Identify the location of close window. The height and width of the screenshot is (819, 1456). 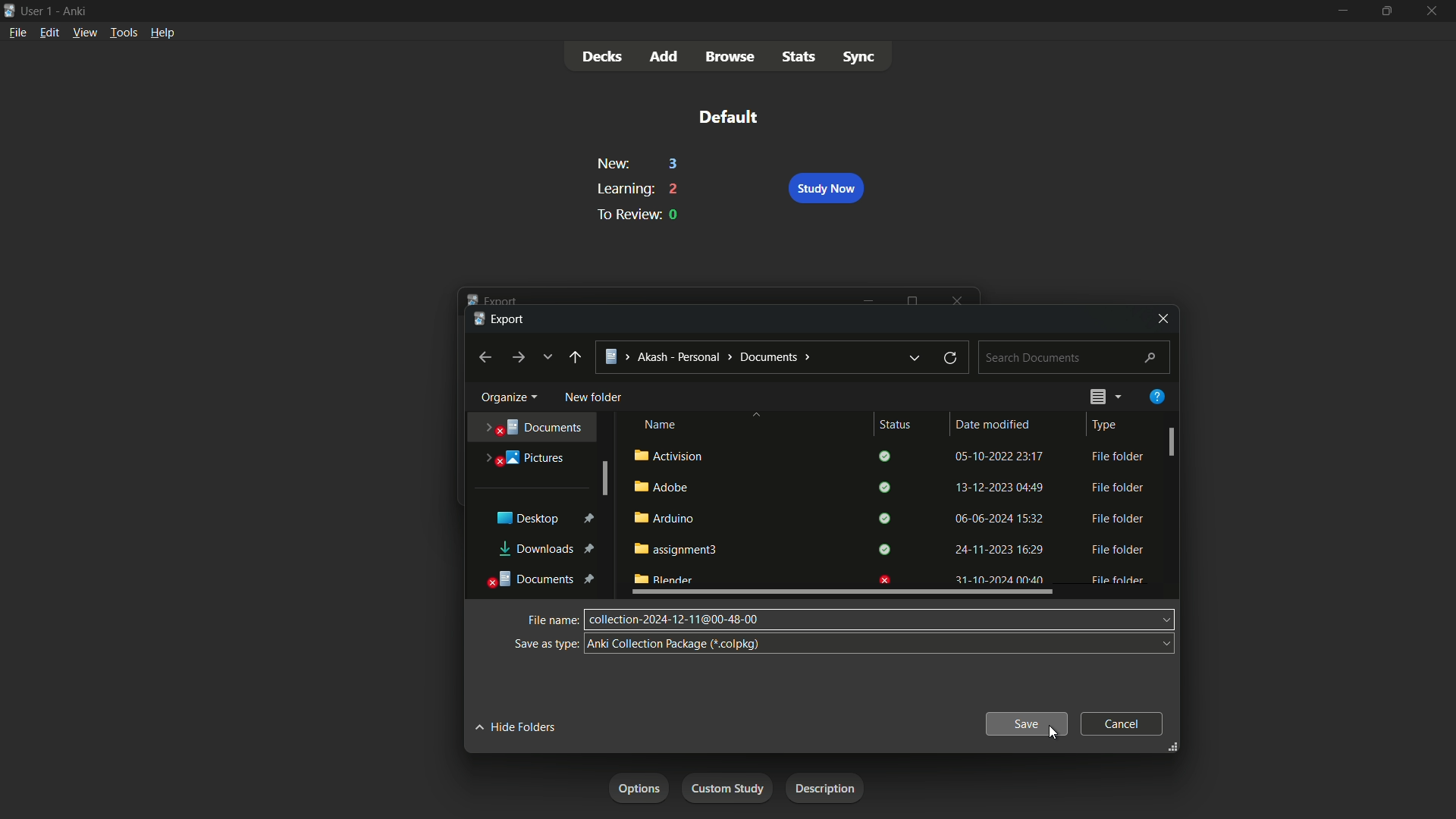
(1163, 318).